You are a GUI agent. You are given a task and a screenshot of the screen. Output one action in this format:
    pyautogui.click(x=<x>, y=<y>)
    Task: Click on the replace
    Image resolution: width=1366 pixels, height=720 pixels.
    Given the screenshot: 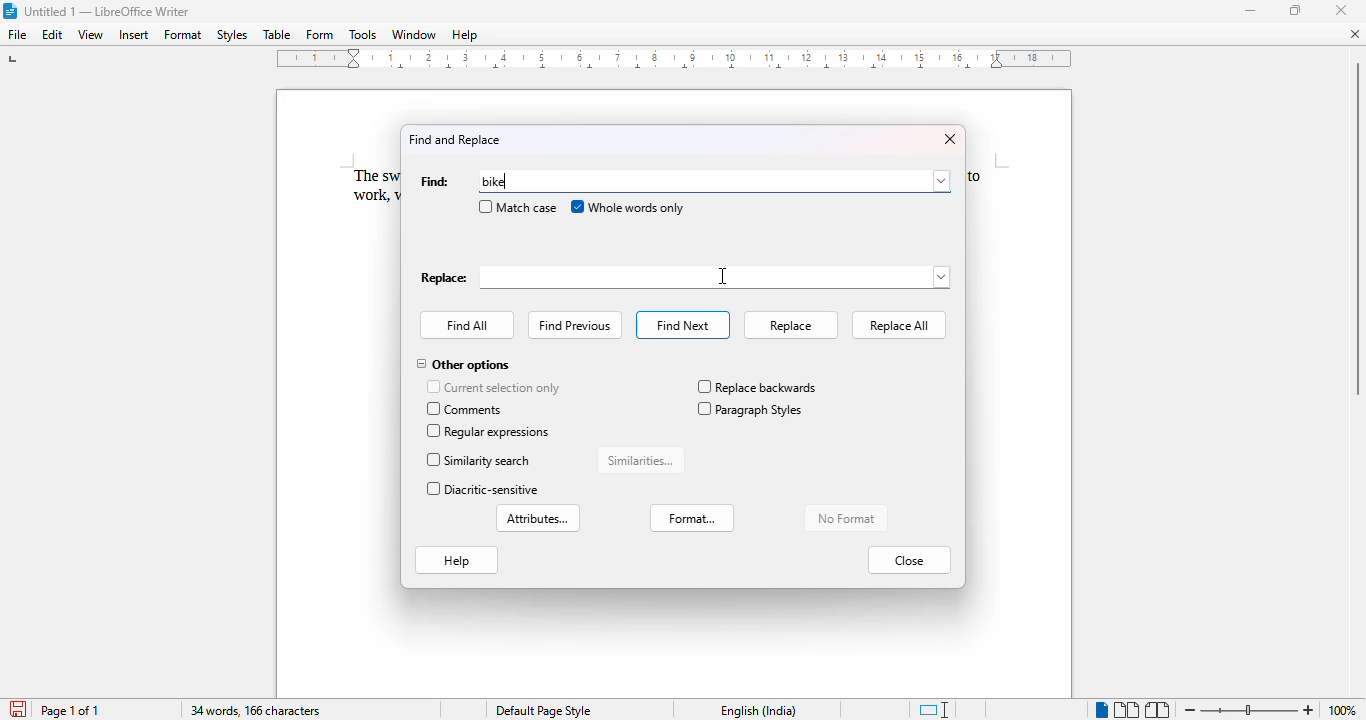 What is the action you would take?
    pyautogui.click(x=790, y=325)
    